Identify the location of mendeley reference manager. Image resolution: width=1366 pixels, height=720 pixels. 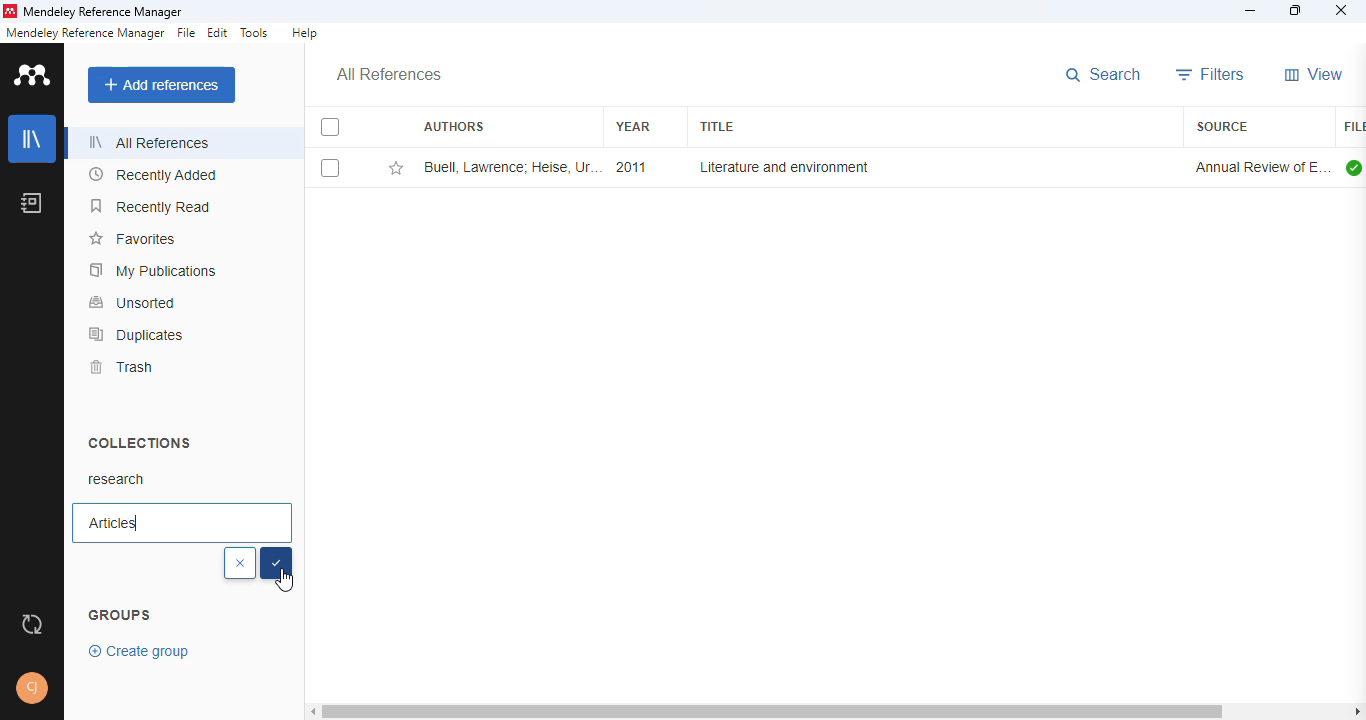
(85, 33).